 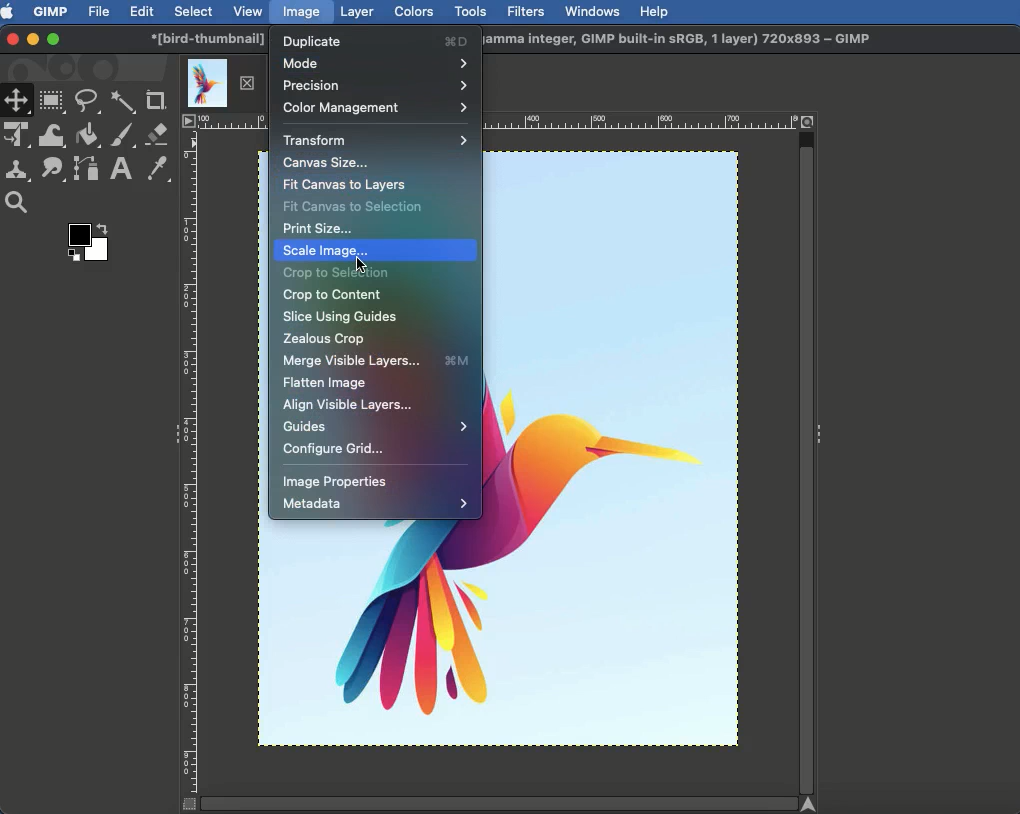 I want to click on Close, so click(x=11, y=40).